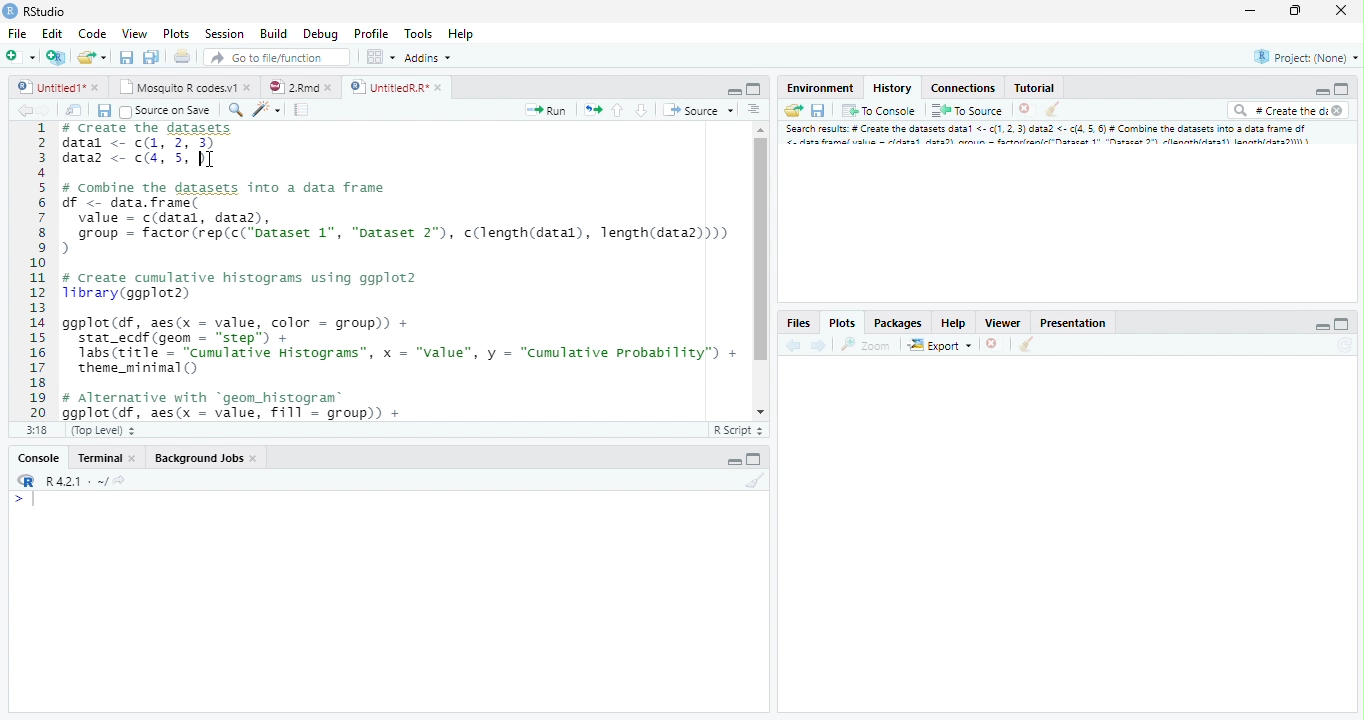 This screenshot has width=1364, height=720. I want to click on Next, so click(818, 347).